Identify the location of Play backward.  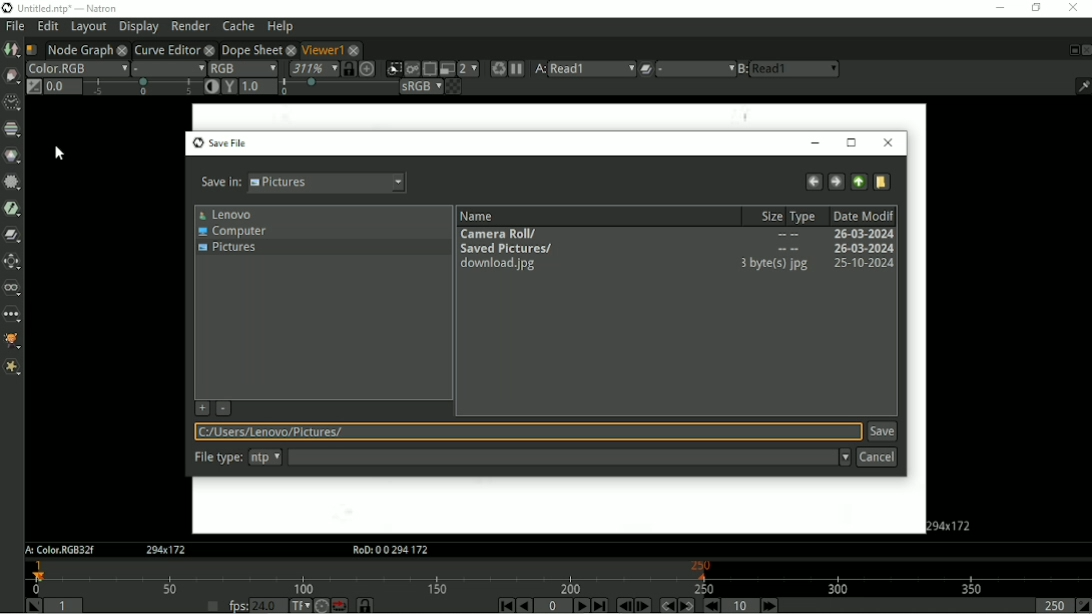
(524, 605).